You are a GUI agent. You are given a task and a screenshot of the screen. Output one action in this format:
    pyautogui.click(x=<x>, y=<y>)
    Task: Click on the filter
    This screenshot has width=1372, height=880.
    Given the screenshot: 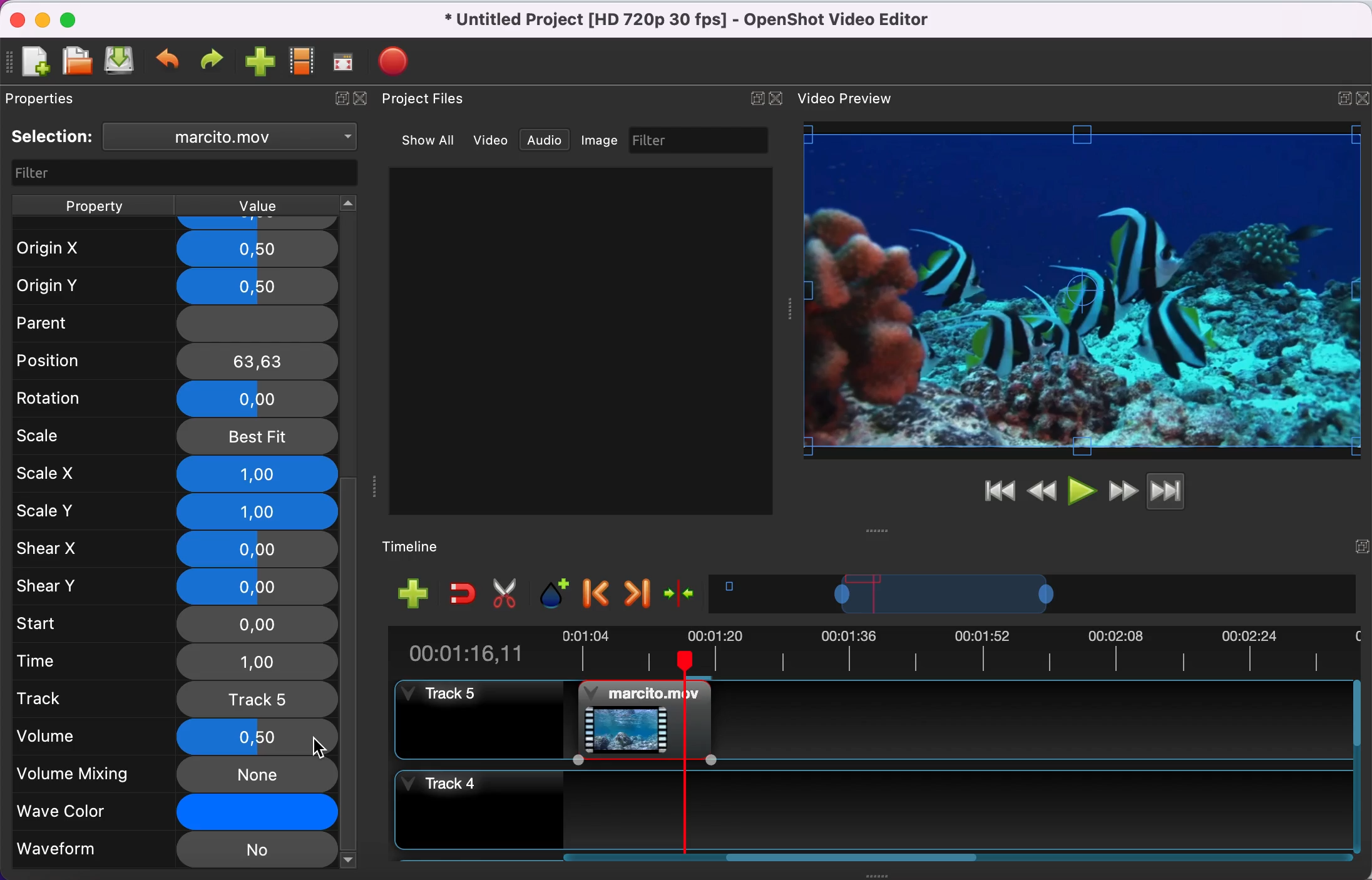 What is the action you would take?
    pyautogui.click(x=702, y=140)
    